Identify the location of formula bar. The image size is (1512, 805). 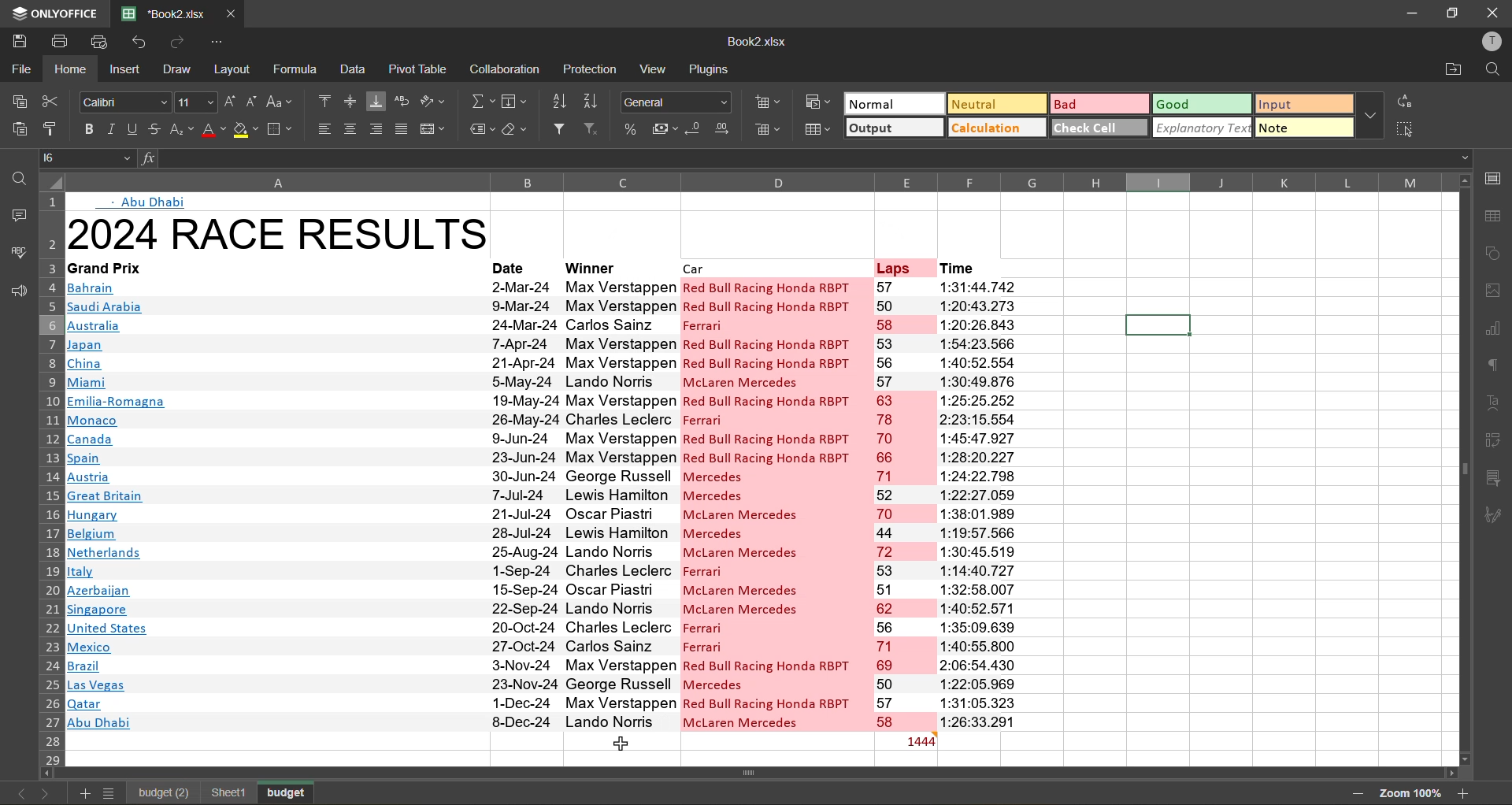
(802, 158).